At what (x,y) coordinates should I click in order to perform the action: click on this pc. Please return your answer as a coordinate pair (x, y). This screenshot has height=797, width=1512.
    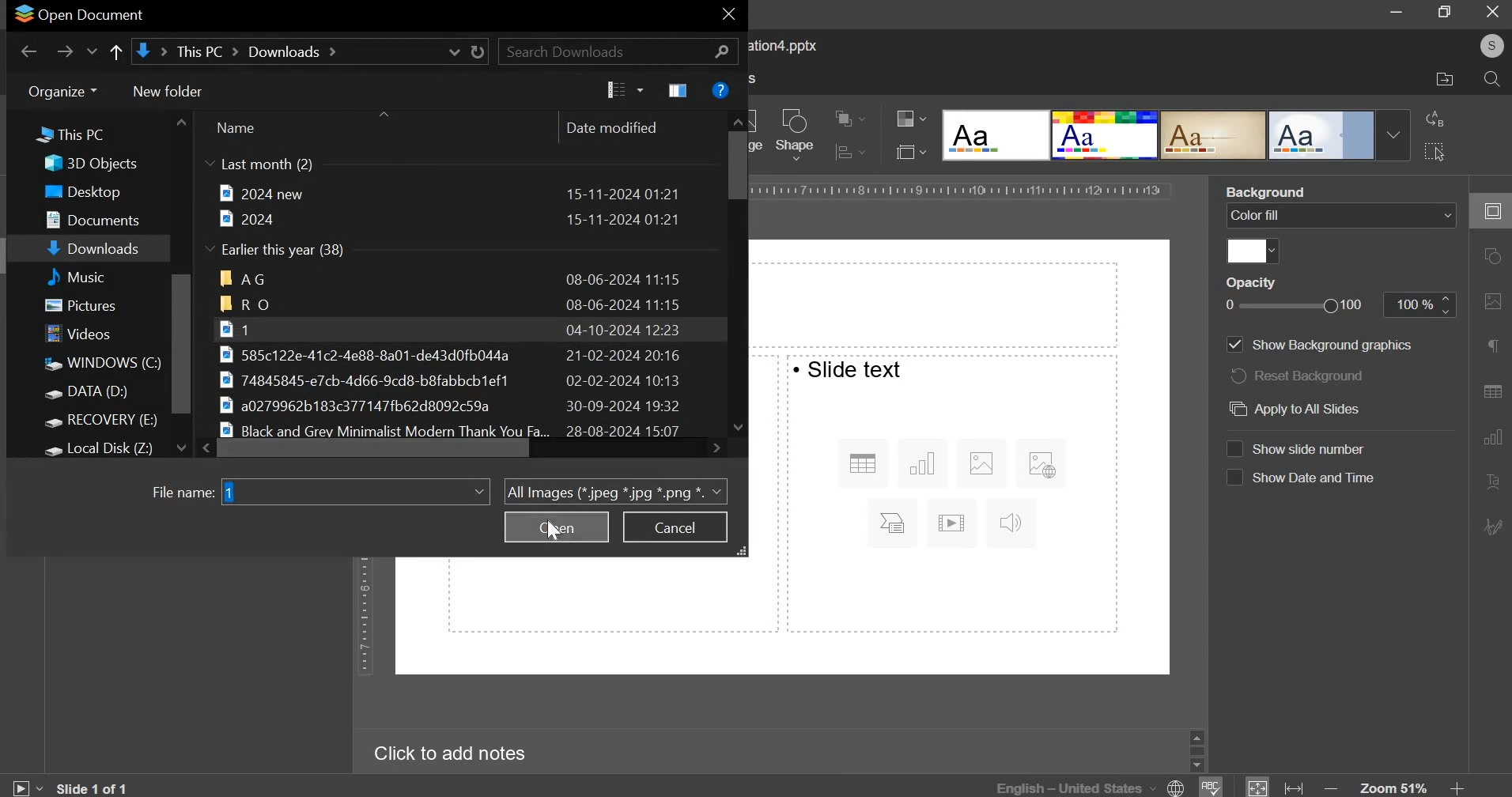
    Looking at the image, I should click on (62, 137).